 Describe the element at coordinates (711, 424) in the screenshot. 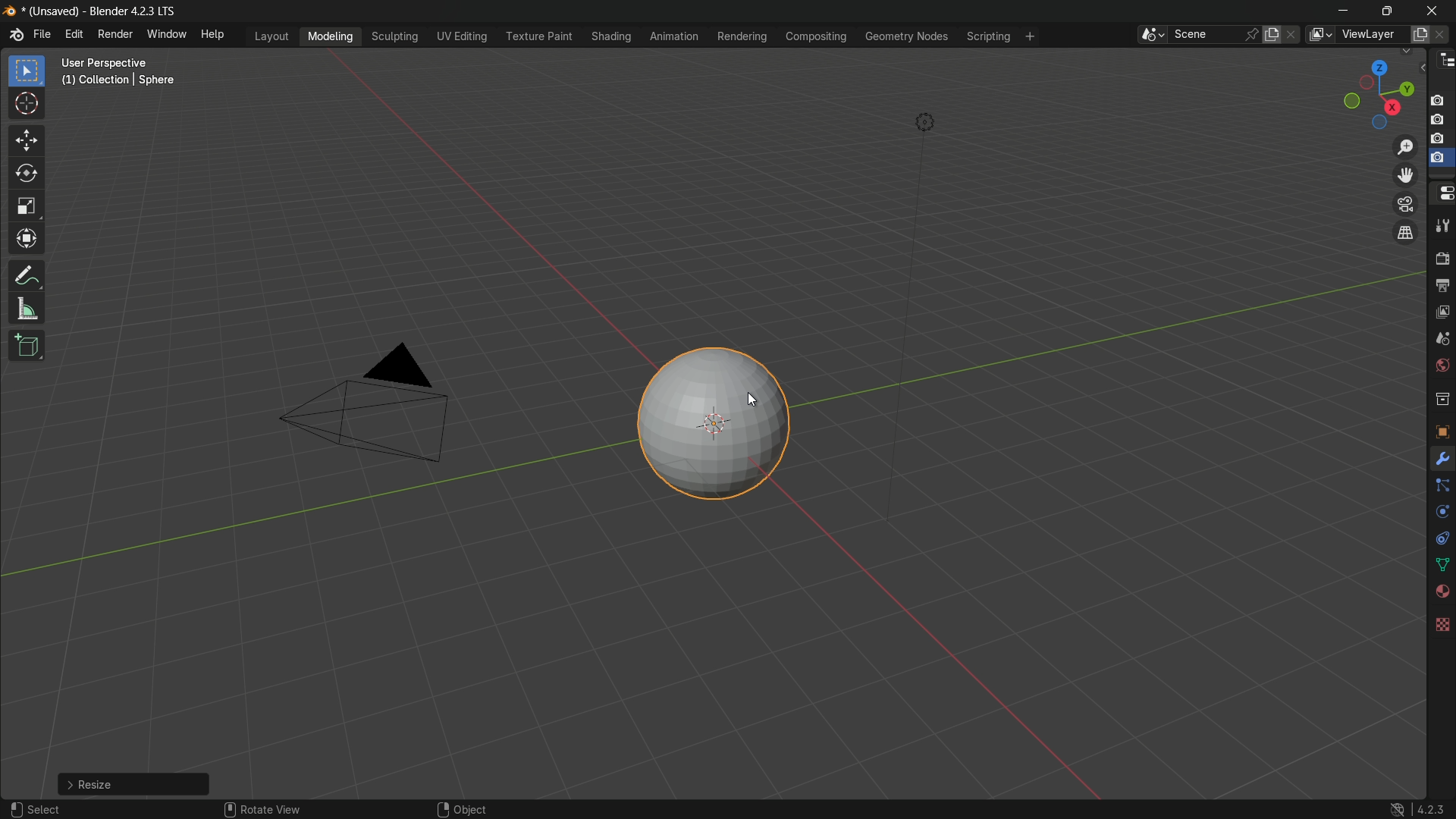

I see `sphere is scaled down by half` at that location.